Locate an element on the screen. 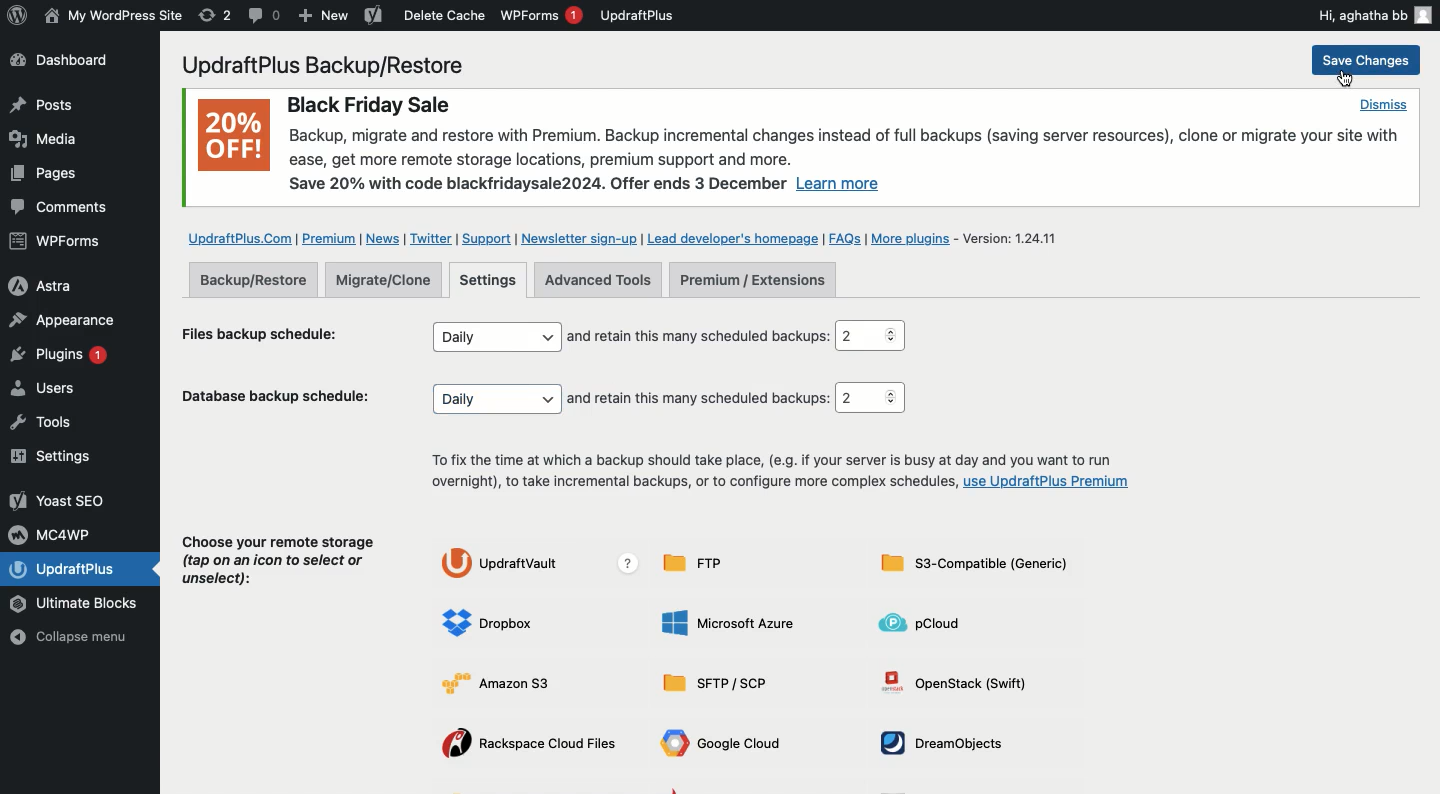  Daily is located at coordinates (495, 336).